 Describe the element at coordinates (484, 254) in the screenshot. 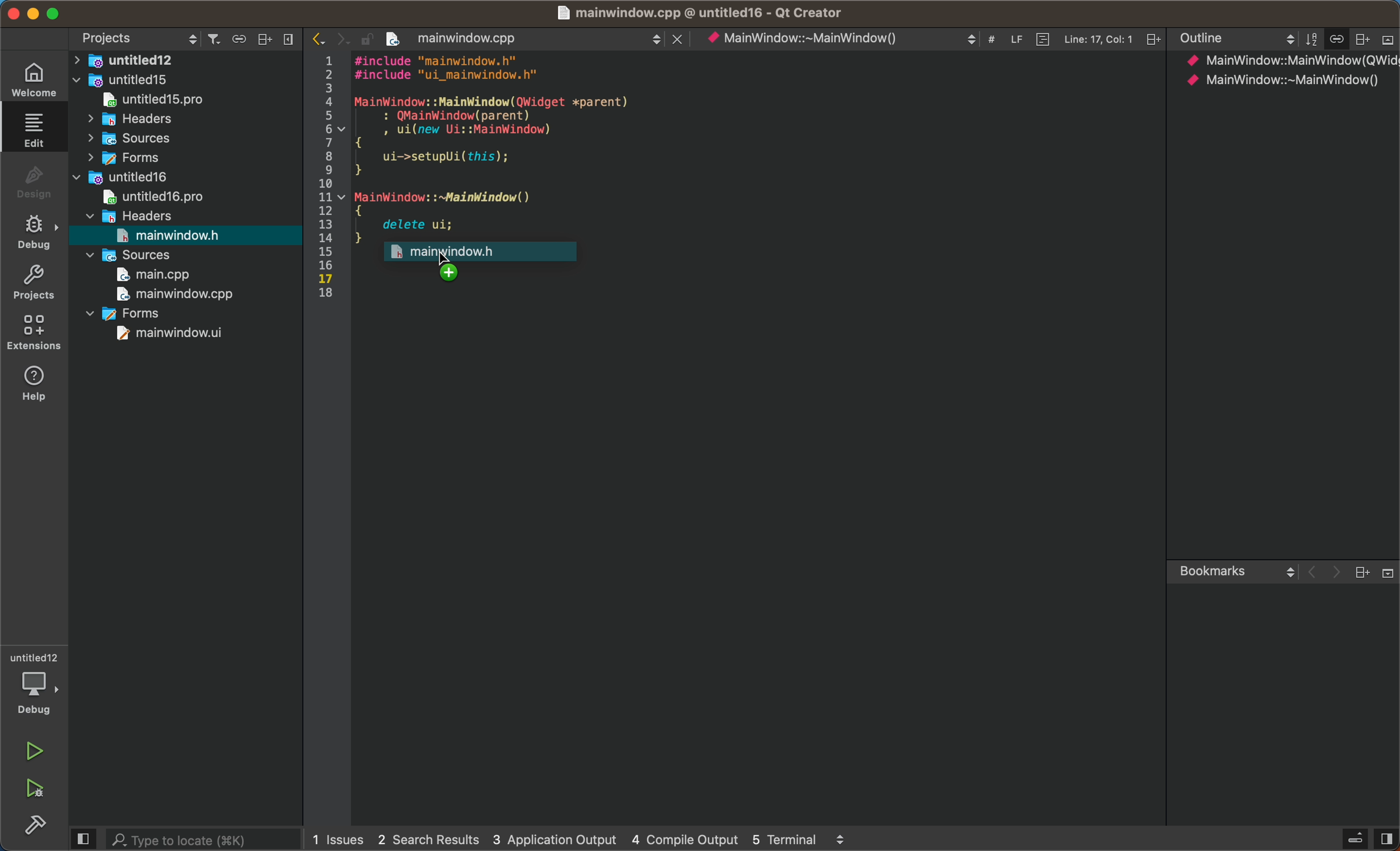

I see `mouse uo` at that location.